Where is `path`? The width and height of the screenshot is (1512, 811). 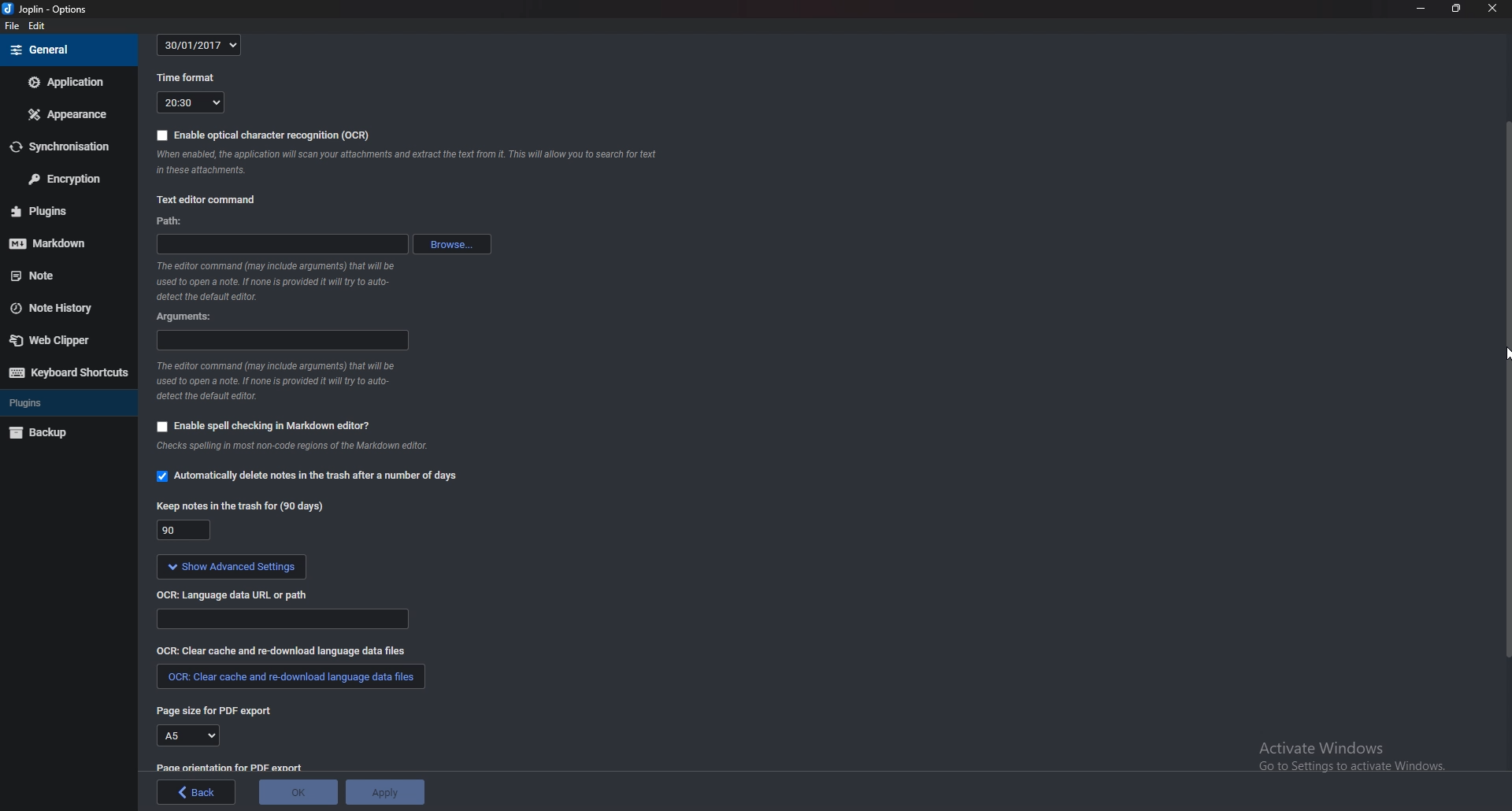 path is located at coordinates (281, 244).